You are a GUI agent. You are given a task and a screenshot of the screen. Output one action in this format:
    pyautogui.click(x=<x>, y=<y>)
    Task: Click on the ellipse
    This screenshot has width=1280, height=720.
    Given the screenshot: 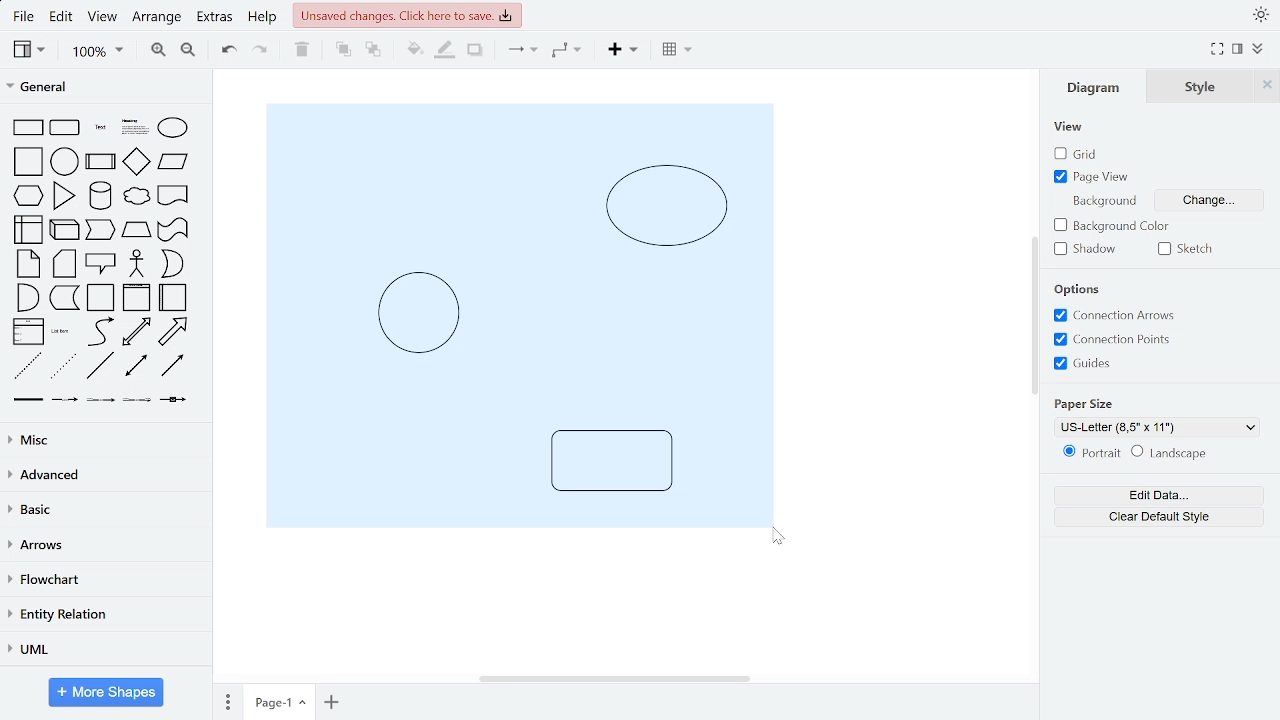 What is the action you would take?
    pyautogui.click(x=172, y=128)
    